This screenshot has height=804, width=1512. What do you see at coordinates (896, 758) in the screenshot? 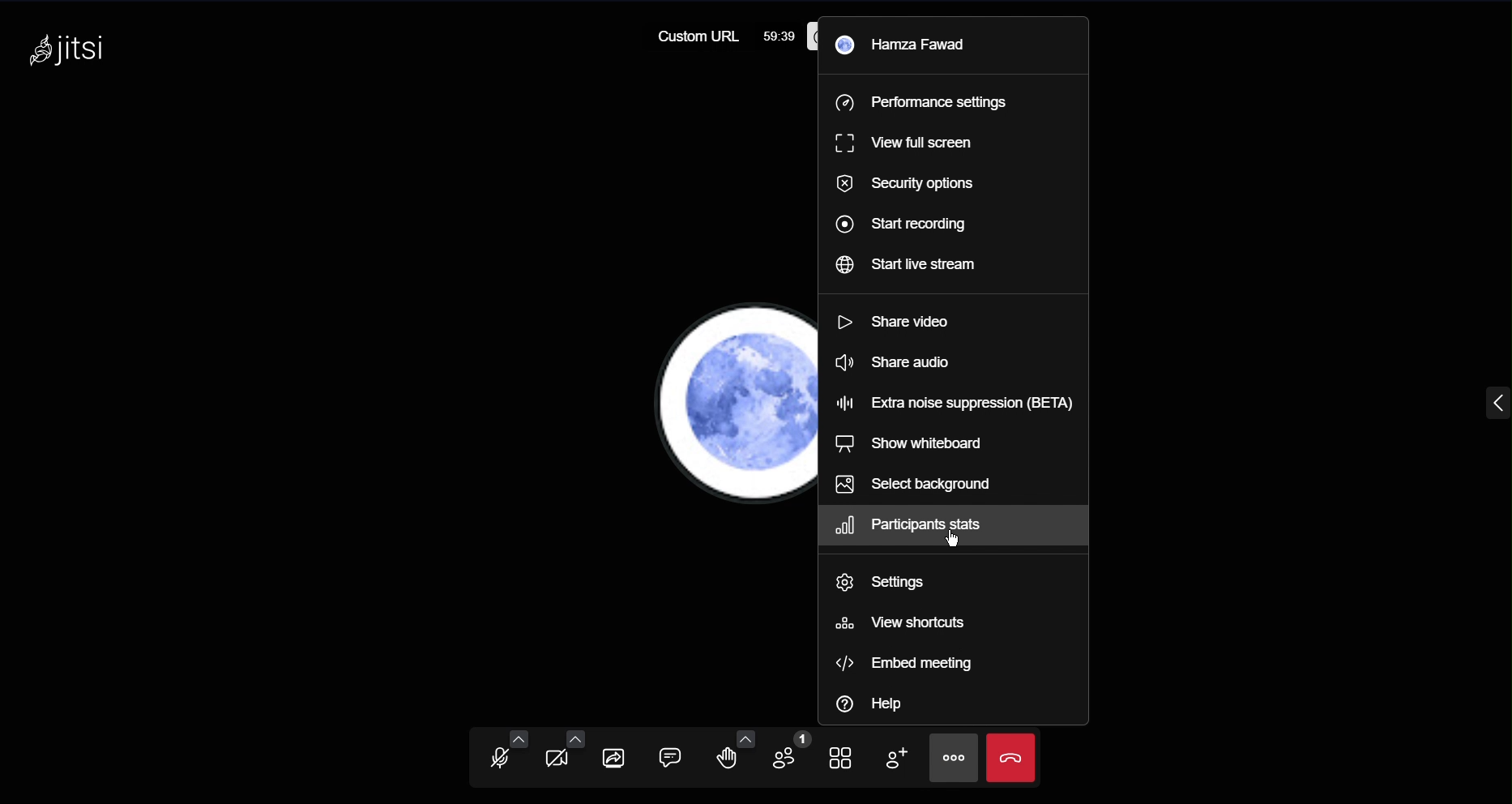
I see `Add Participant` at bounding box center [896, 758].